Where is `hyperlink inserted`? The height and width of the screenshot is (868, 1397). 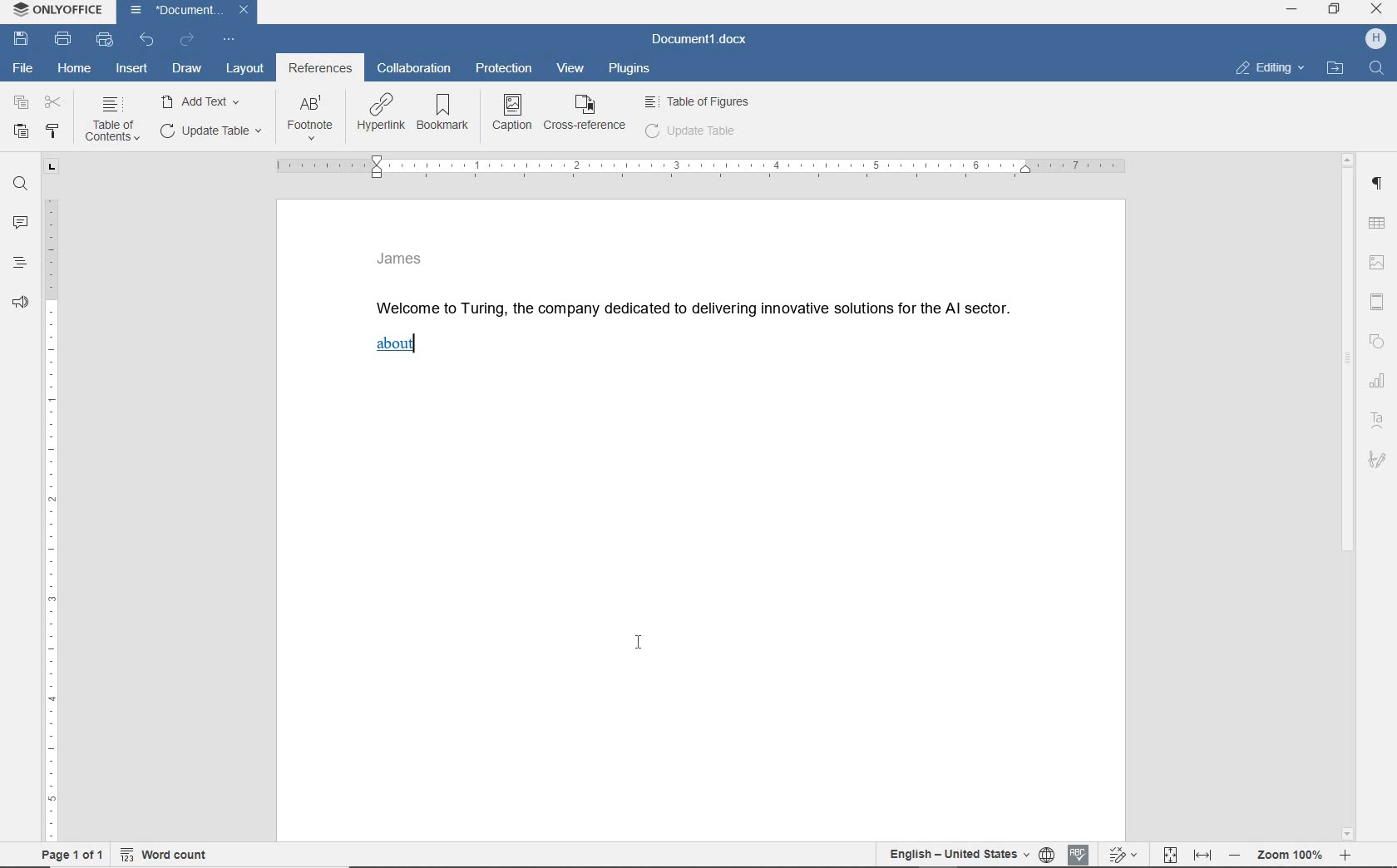 hyperlink inserted is located at coordinates (402, 347).